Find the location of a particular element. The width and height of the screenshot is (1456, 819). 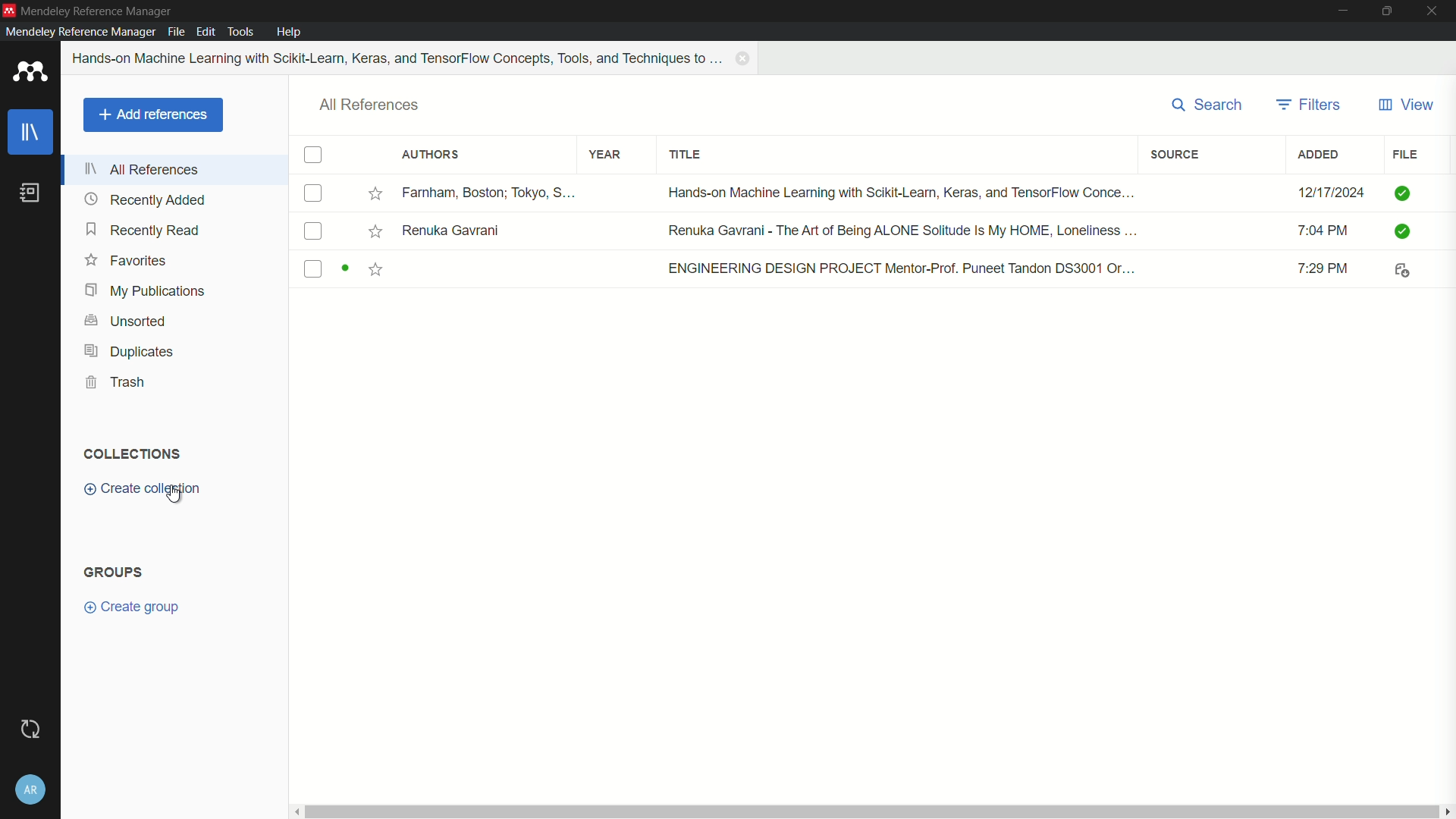

added is located at coordinates (1319, 155).